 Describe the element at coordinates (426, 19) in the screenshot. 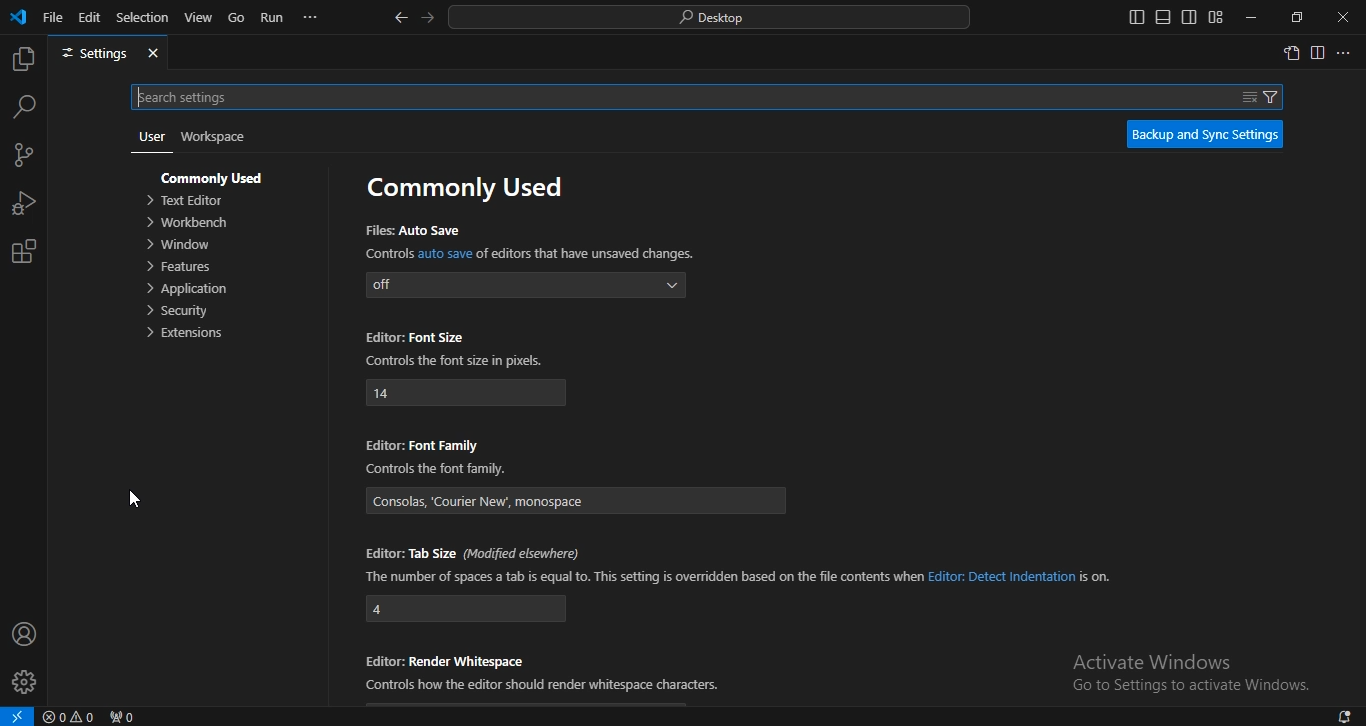

I see `go forward` at that location.